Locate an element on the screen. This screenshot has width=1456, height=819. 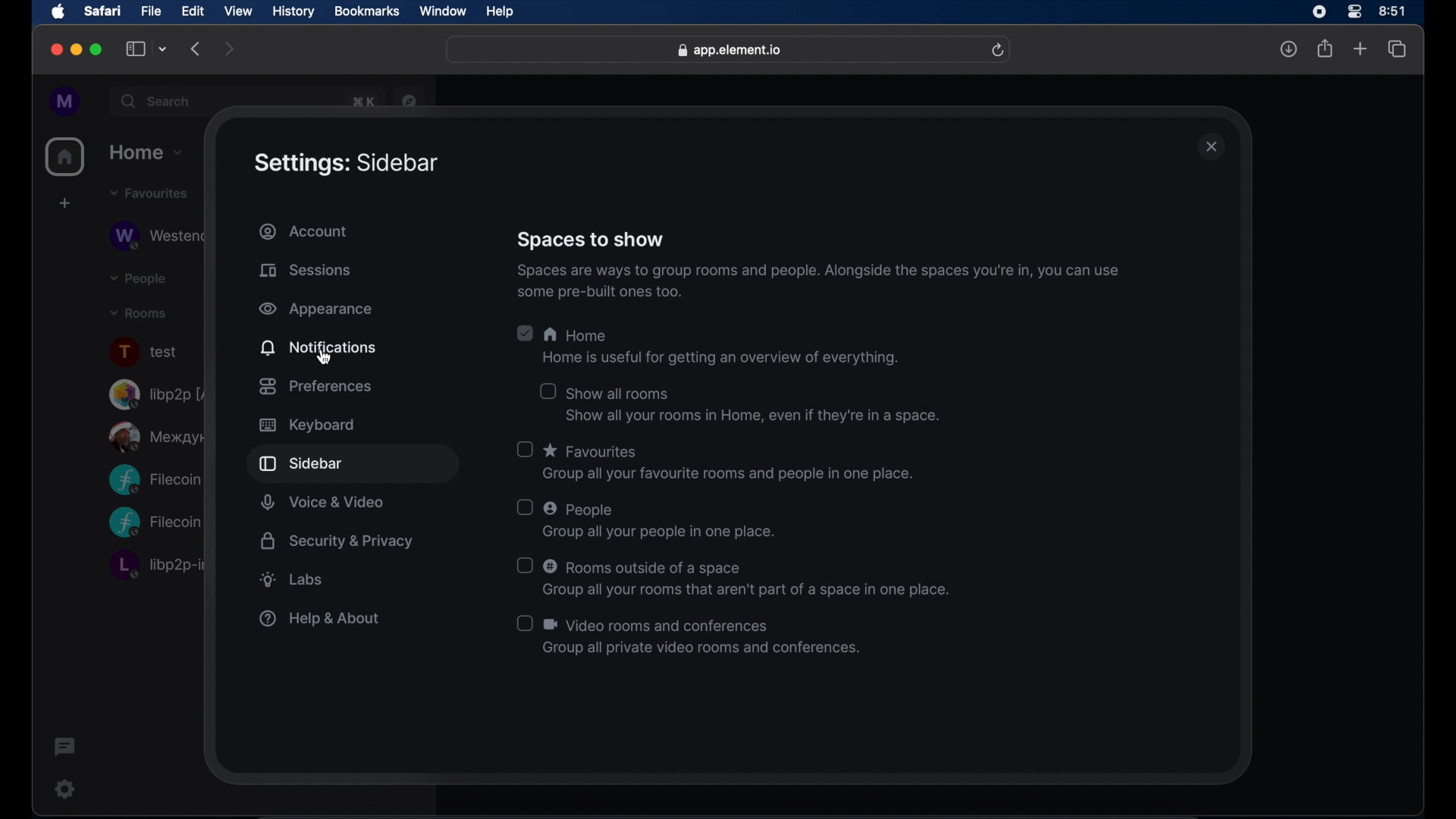
backward is located at coordinates (196, 49).